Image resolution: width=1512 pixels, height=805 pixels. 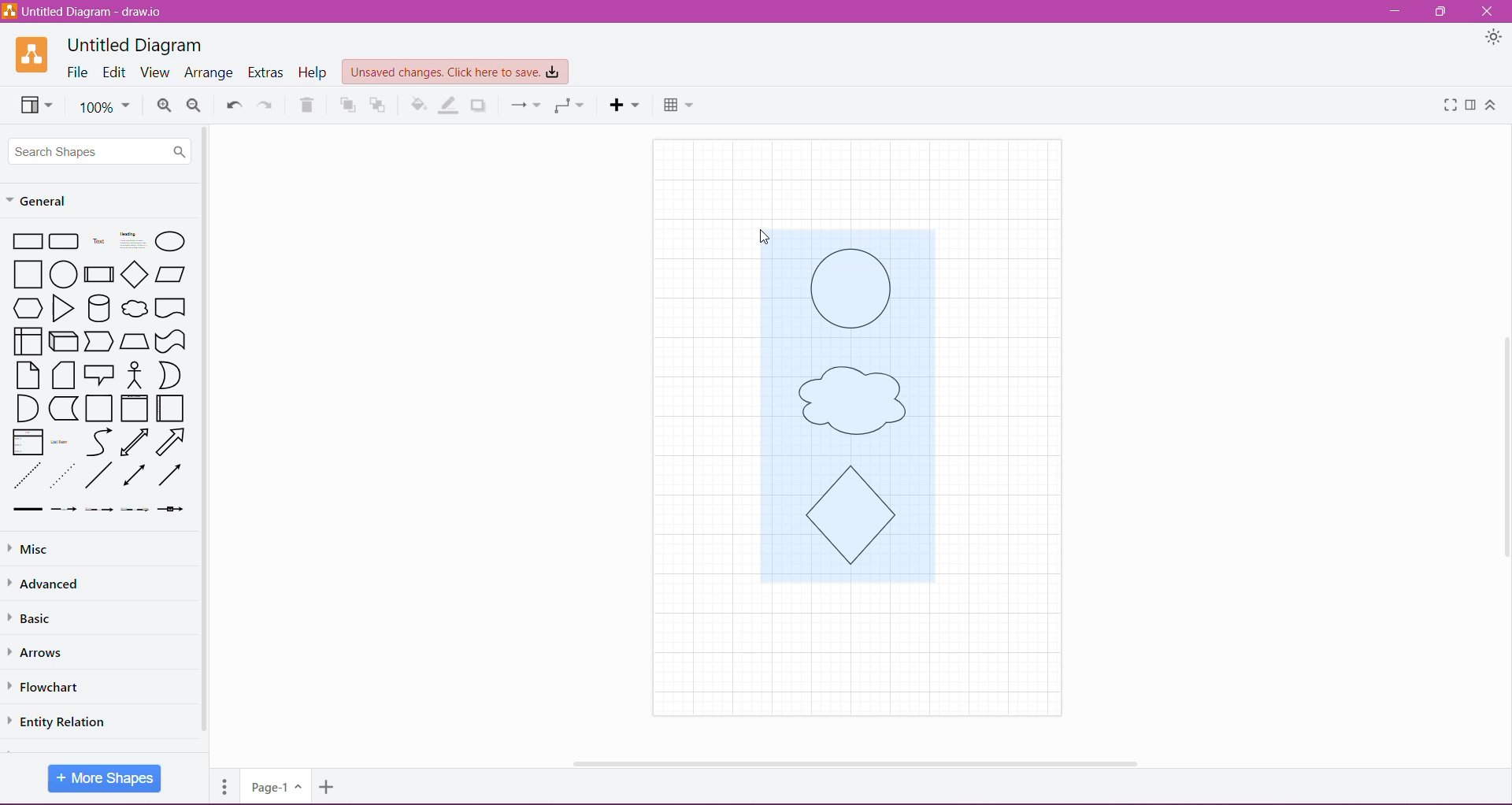 I want to click on Flowchart, so click(x=54, y=687).